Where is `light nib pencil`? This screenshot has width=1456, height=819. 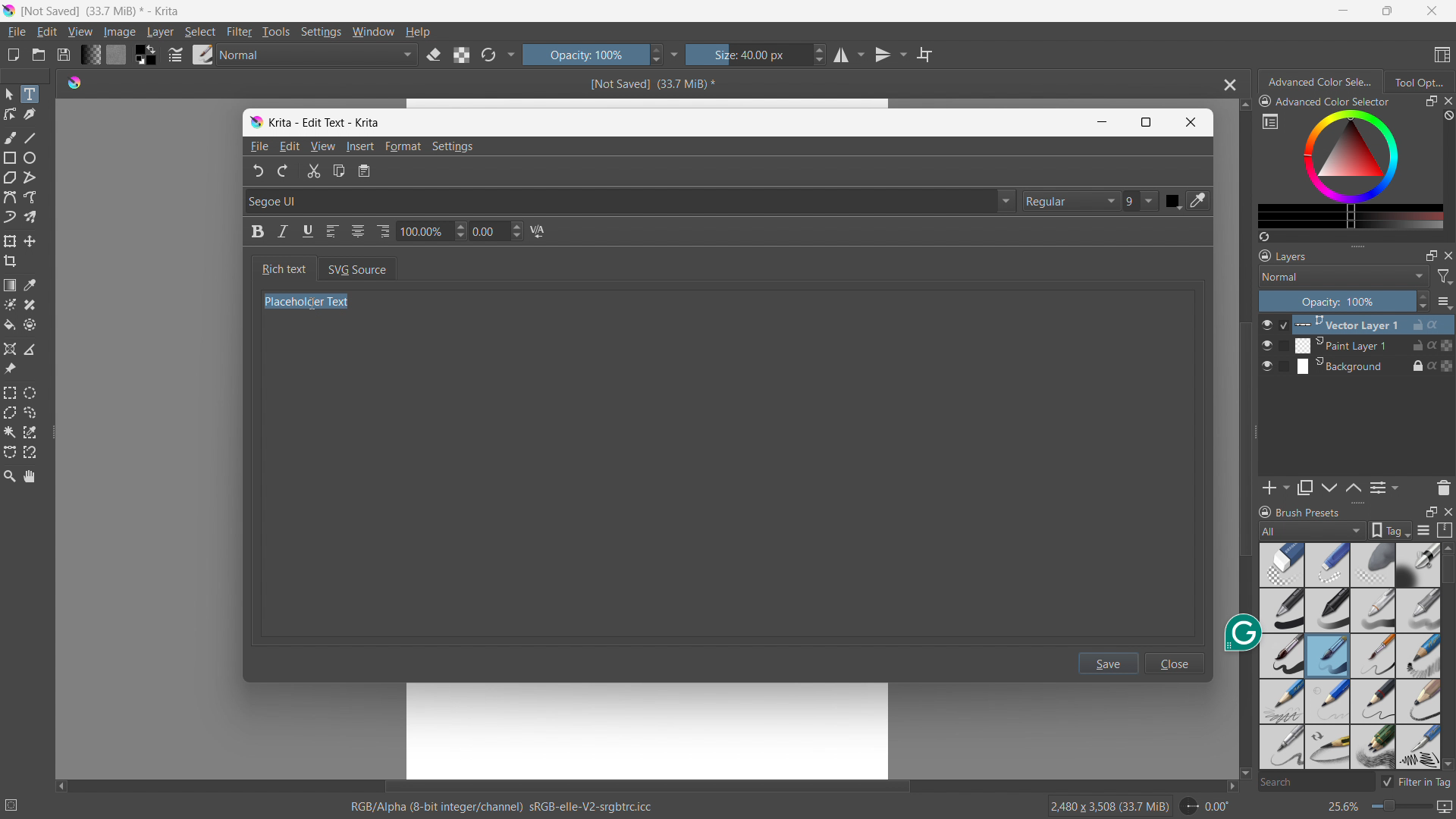 light nib pencil is located at coordinates (1328, 701).